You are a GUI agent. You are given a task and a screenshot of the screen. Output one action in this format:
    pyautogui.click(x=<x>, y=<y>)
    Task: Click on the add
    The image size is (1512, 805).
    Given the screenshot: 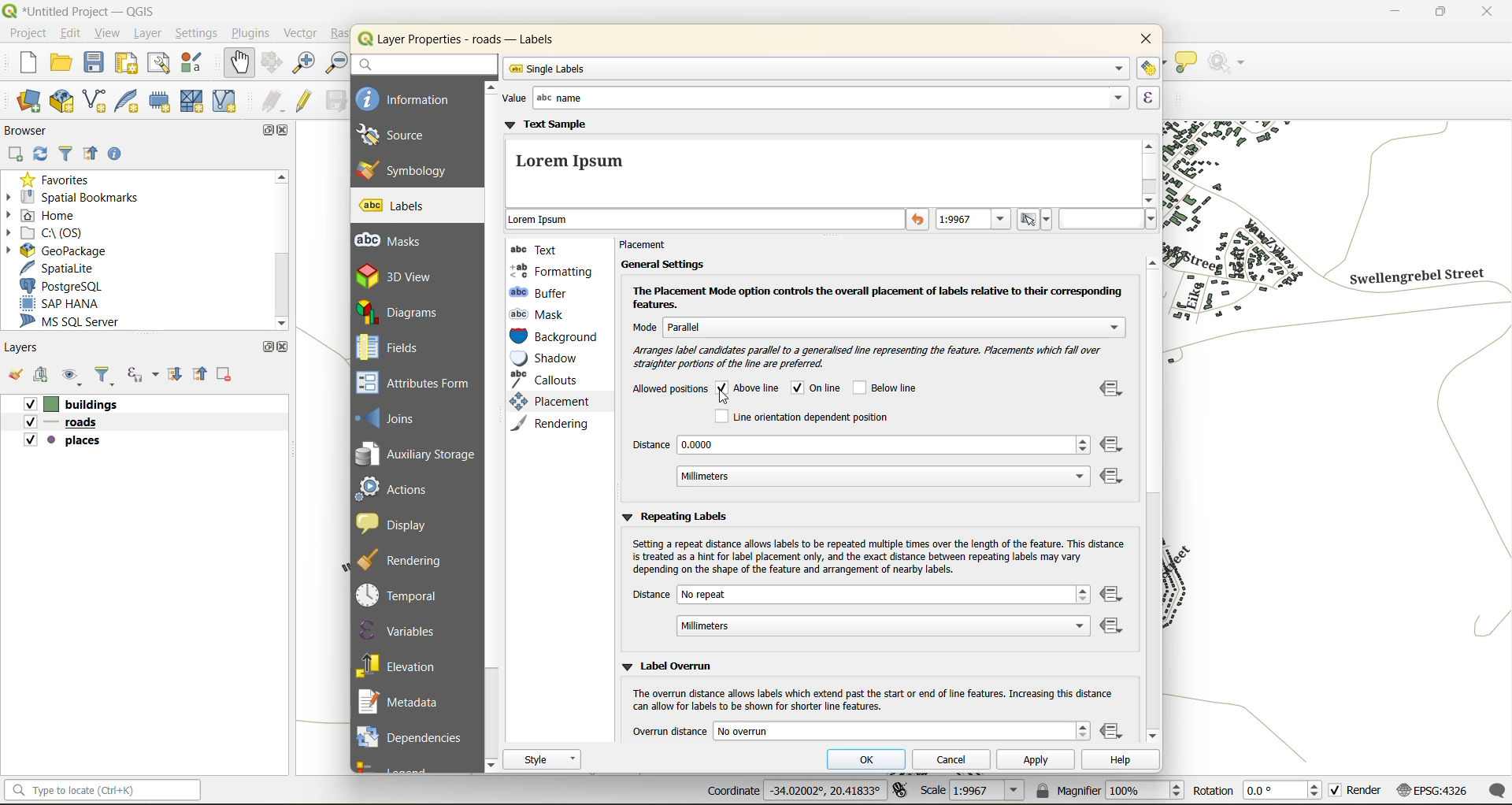 What is the action you would take?
    pyautogui.click(x=17, y=154)
    